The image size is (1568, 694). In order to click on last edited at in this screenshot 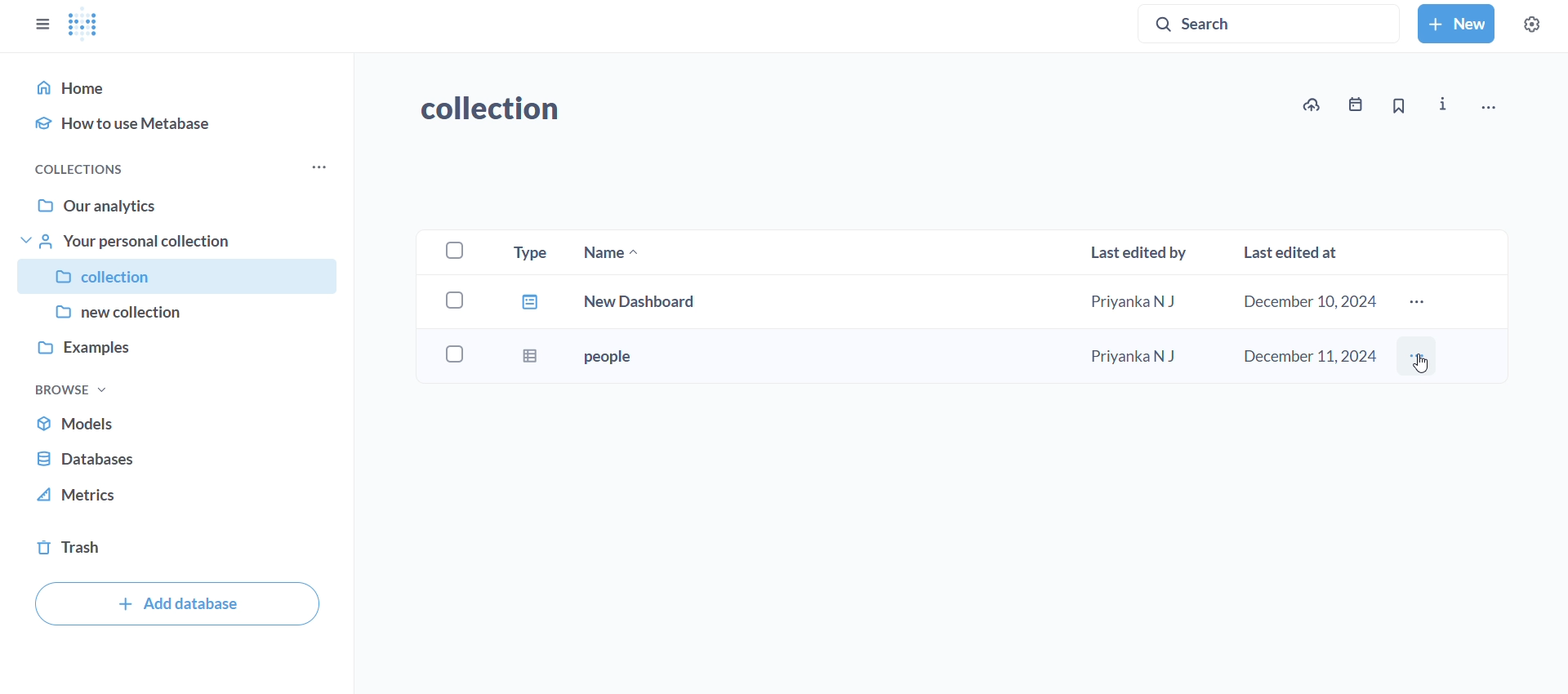, I will do `click(1295, 251)`.